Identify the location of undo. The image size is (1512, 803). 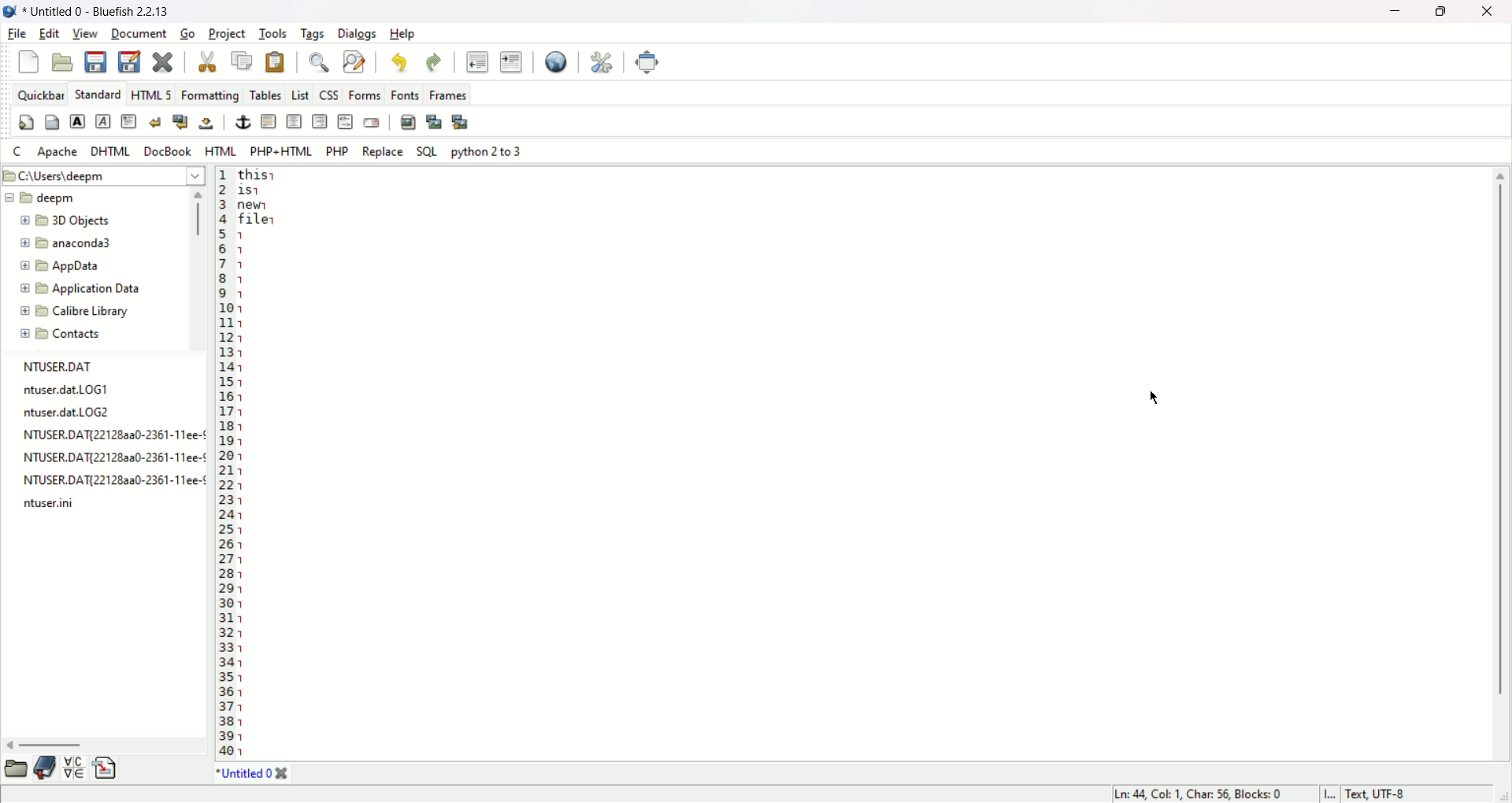
(402, 65).